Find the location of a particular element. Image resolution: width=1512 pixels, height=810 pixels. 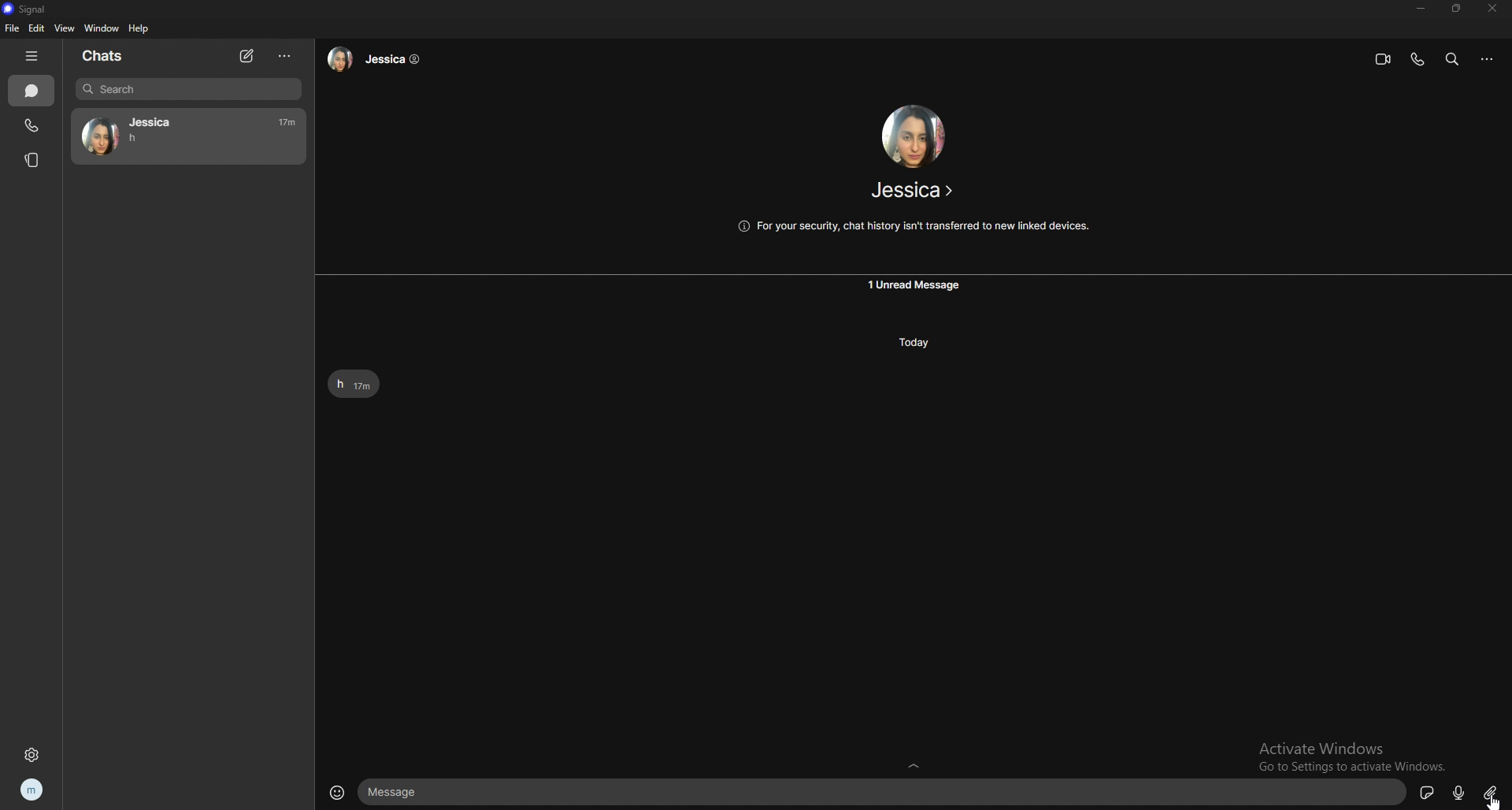

sticker is located at coordinates (1429, 793).